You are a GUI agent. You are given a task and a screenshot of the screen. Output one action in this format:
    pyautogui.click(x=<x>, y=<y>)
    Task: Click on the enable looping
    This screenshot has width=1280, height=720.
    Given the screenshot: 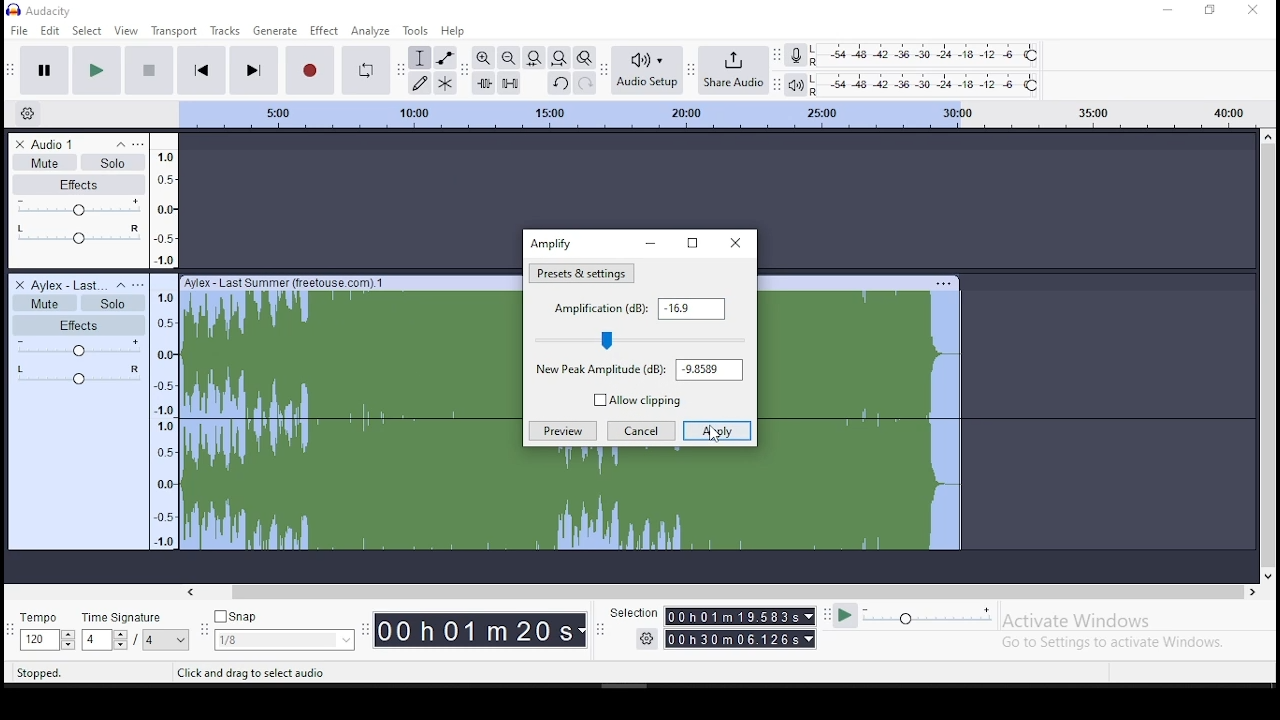 What is the action you would take?
    pyautogui.click(x=364, y=71)
    